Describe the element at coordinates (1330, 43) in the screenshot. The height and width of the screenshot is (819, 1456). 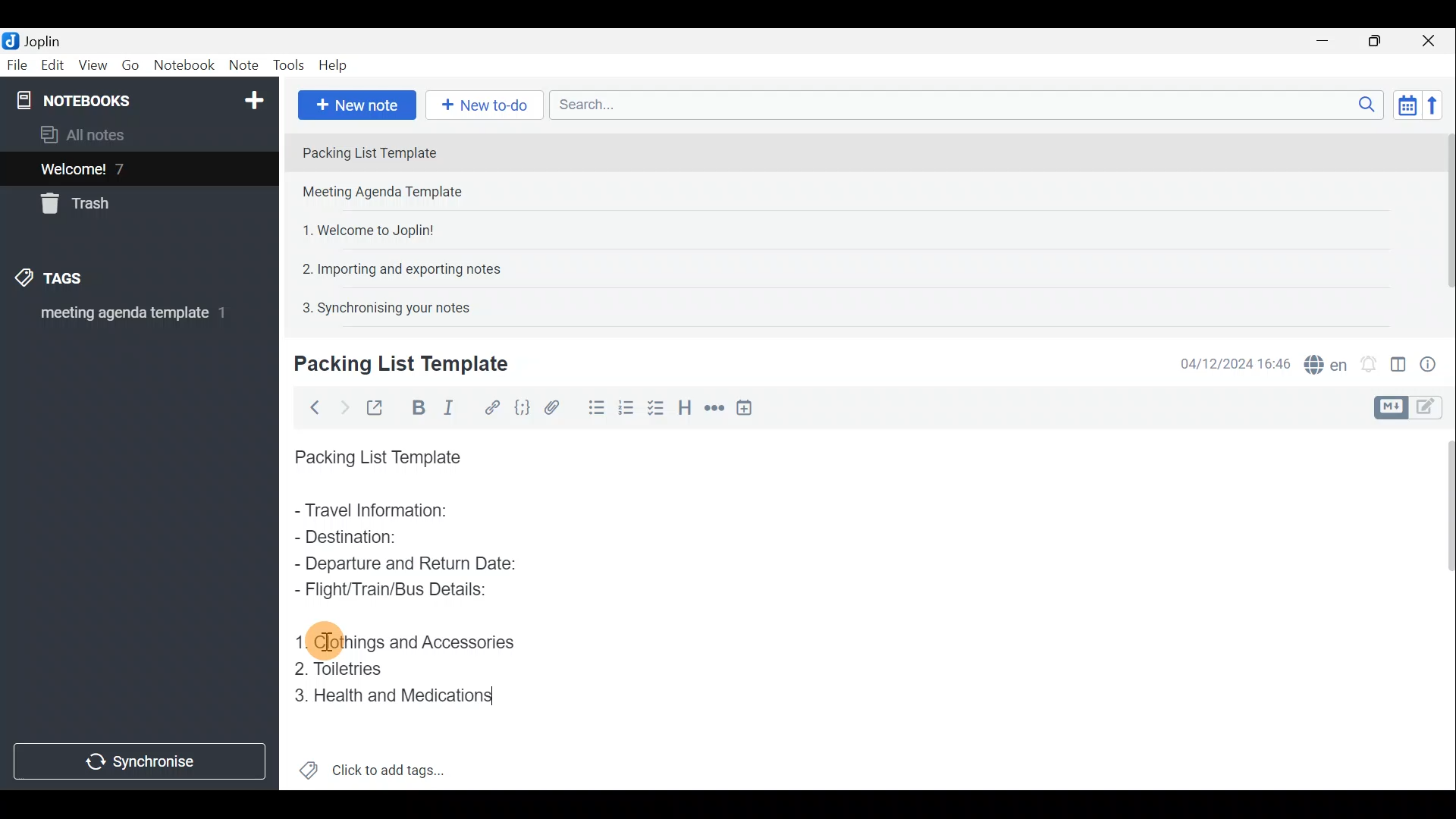
I see `Minimise` at that location.